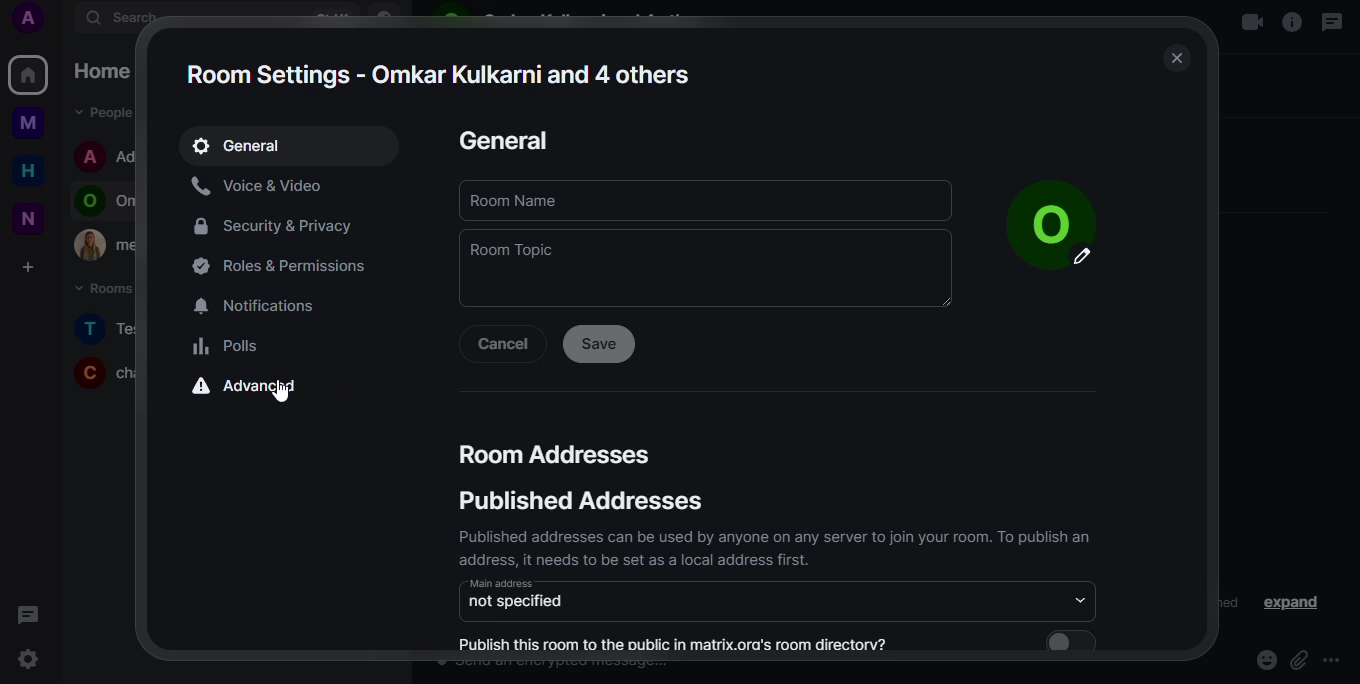  I want to click on info, so click(1292, 20).